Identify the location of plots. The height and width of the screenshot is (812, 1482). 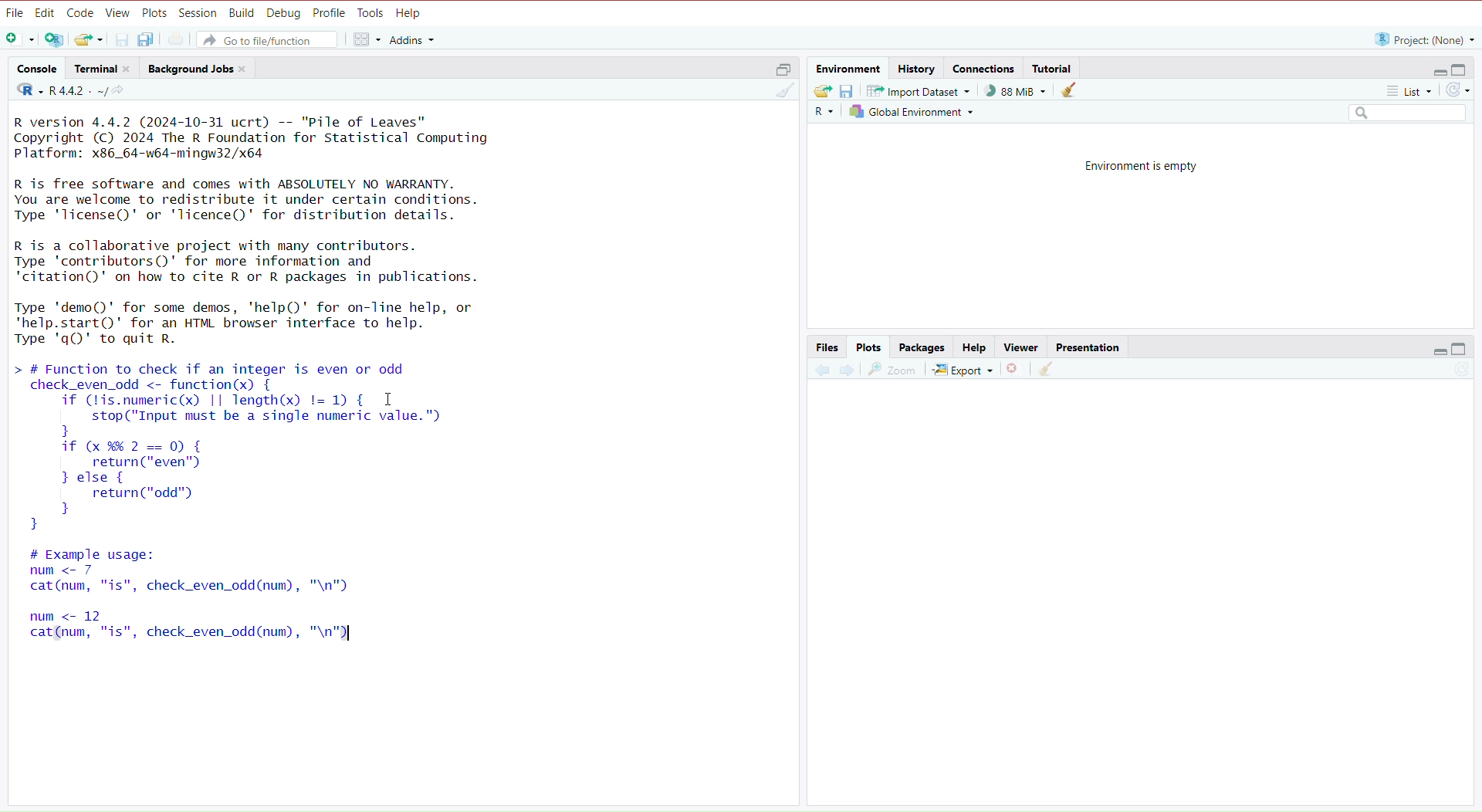
(154, 12).